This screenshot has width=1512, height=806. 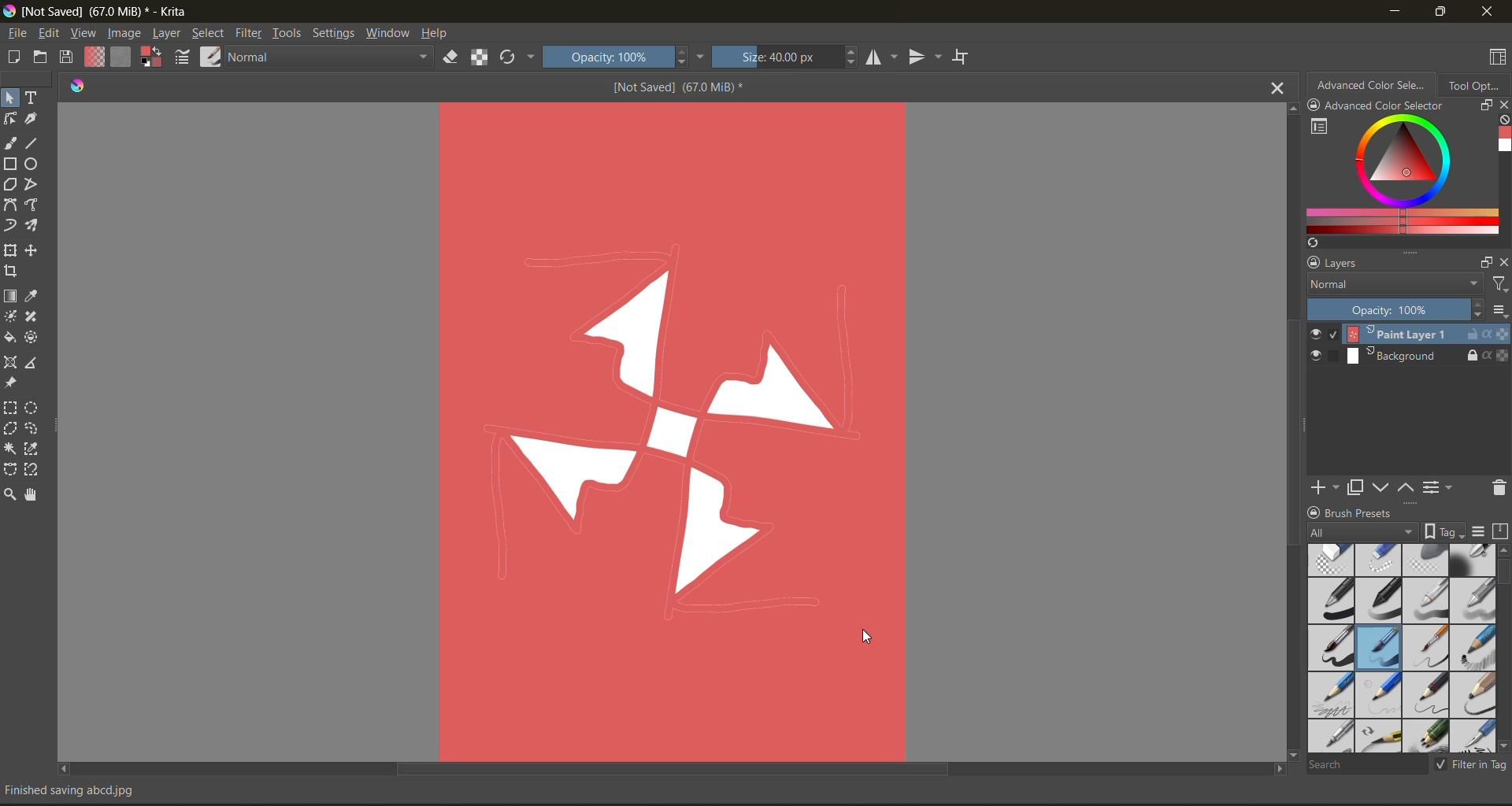 I want to click on opacity, so click(x=619, y=57).